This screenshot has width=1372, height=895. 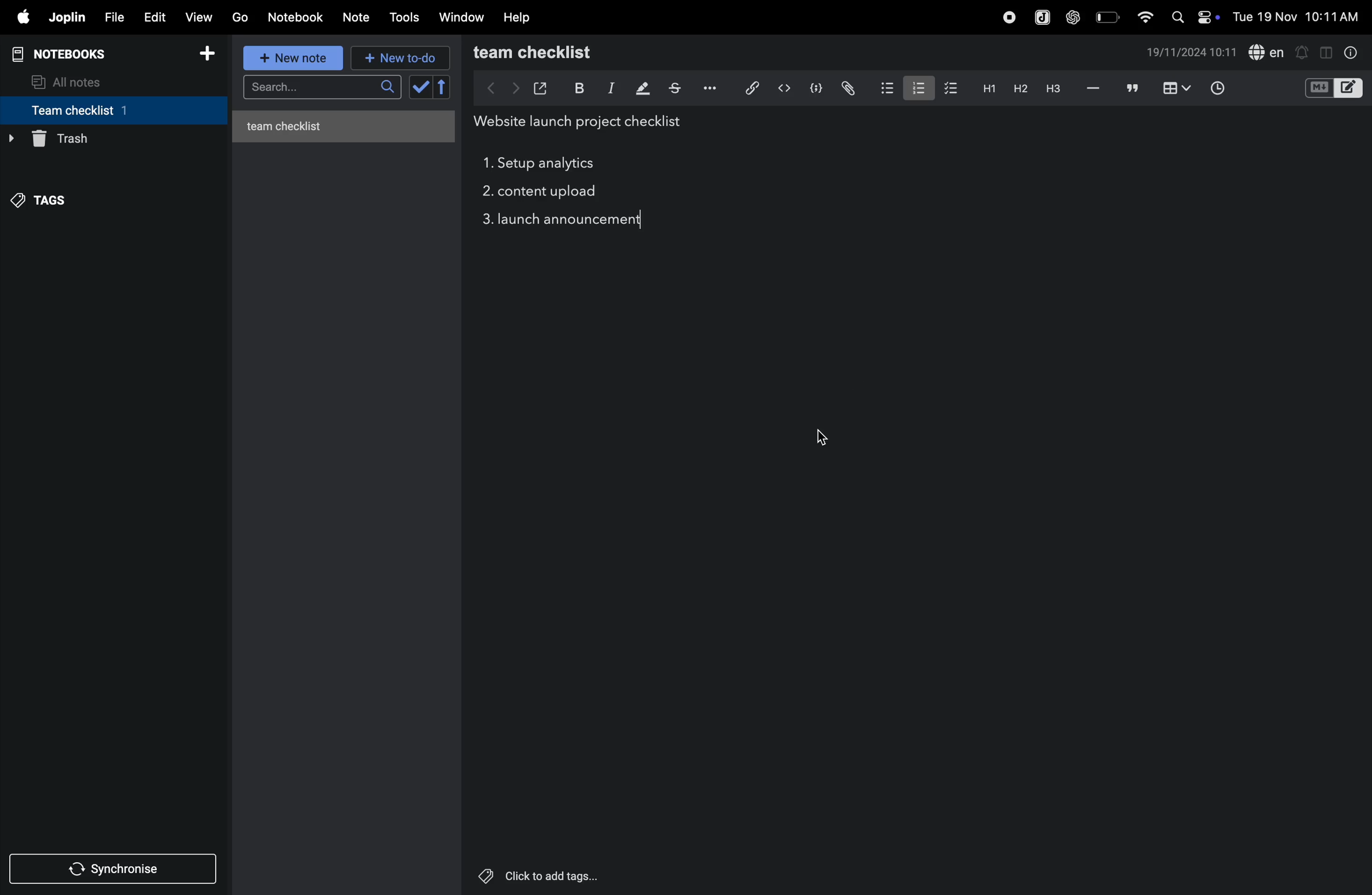 I want to click on attach file, so click(x=847, y=88).